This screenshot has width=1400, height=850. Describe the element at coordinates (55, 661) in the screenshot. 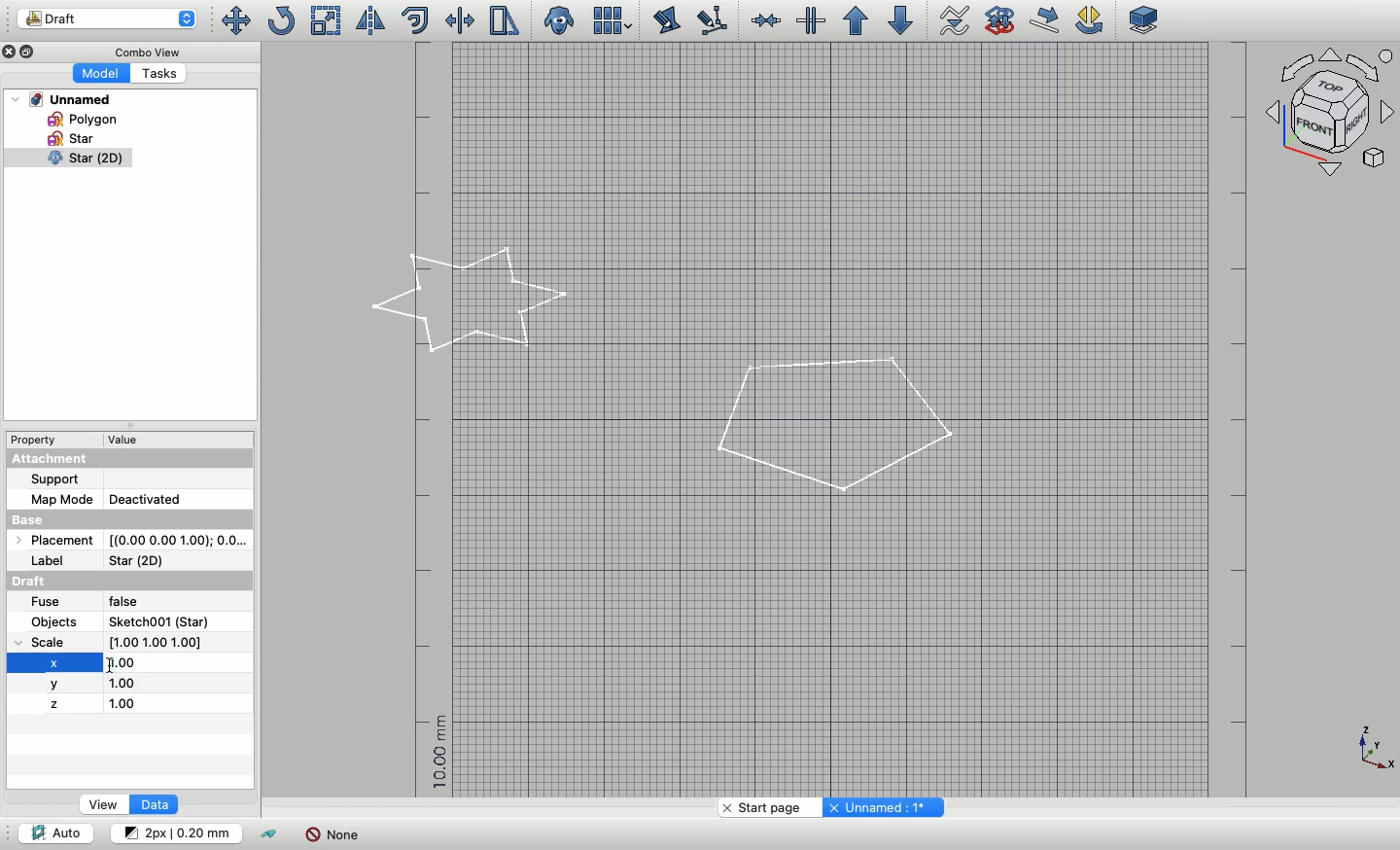

I see `X` at that location.